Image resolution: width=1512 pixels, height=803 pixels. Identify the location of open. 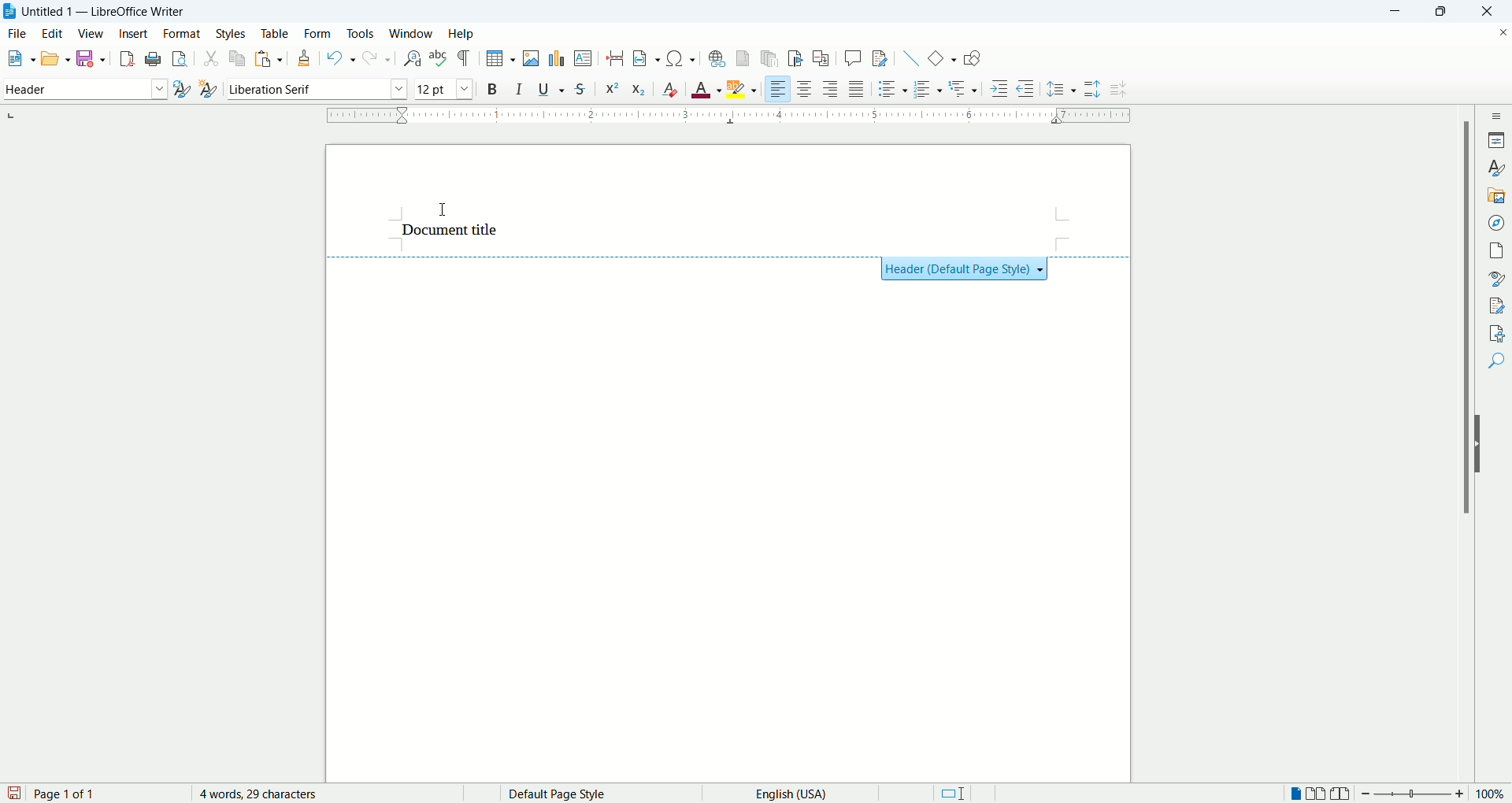
(57, 58).